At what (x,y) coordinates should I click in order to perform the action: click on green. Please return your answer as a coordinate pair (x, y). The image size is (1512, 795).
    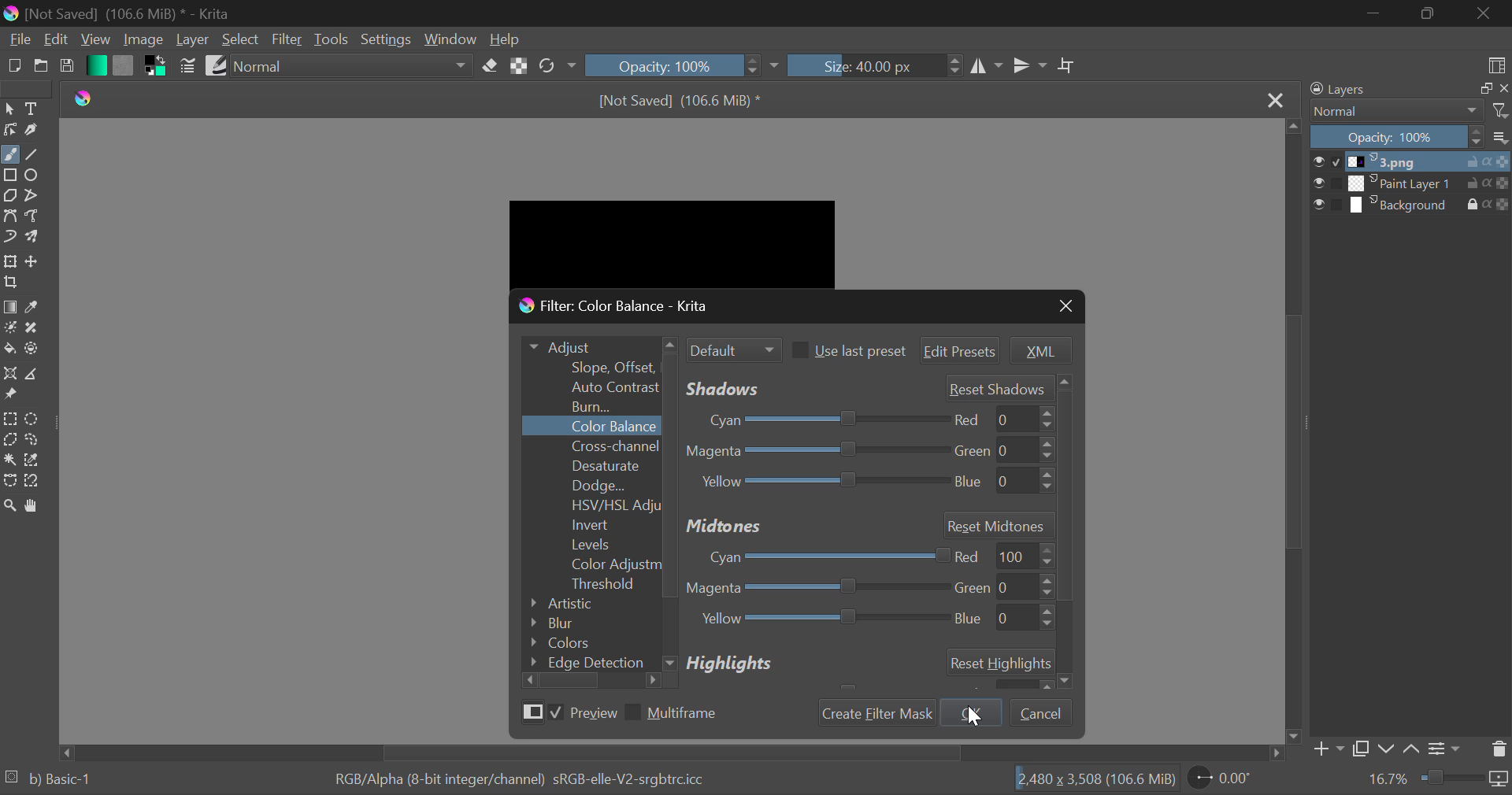
    Looking at the image, I should click on (1004, 449).